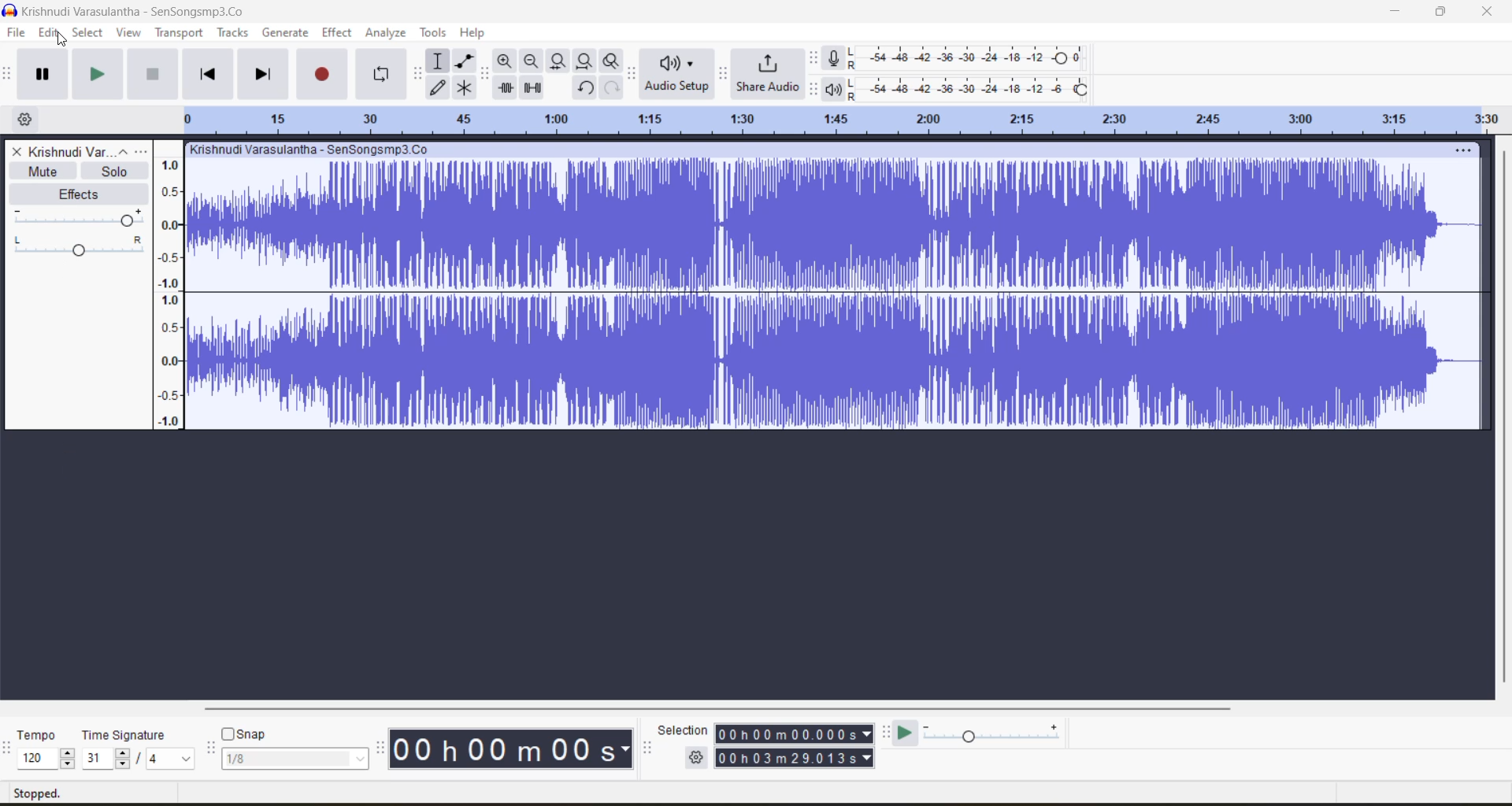  What do you see at coordinates (131, 34) in the screenshot?
I see `view` at bounding box center [131, 34].